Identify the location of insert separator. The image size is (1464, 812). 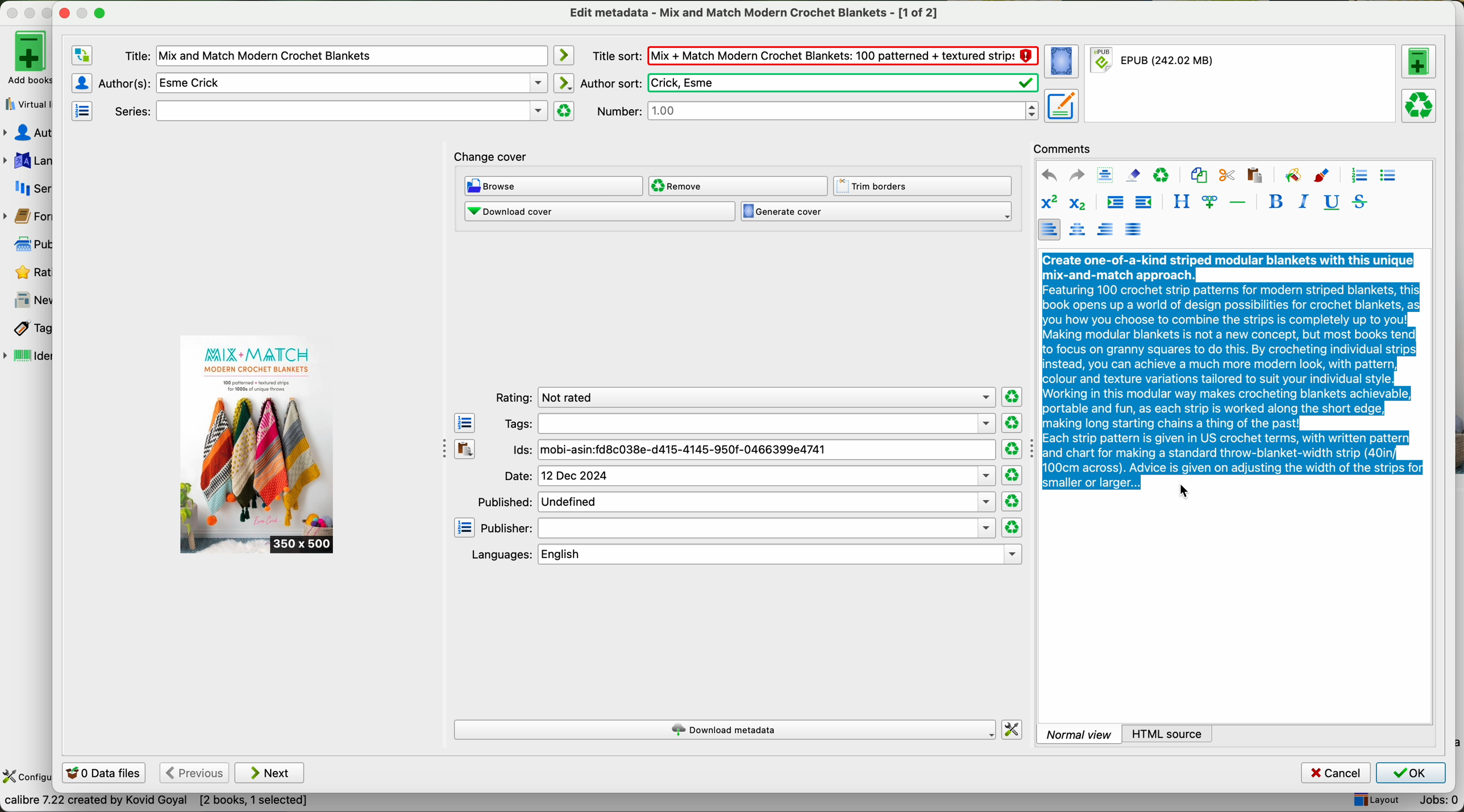
(1239, 201).